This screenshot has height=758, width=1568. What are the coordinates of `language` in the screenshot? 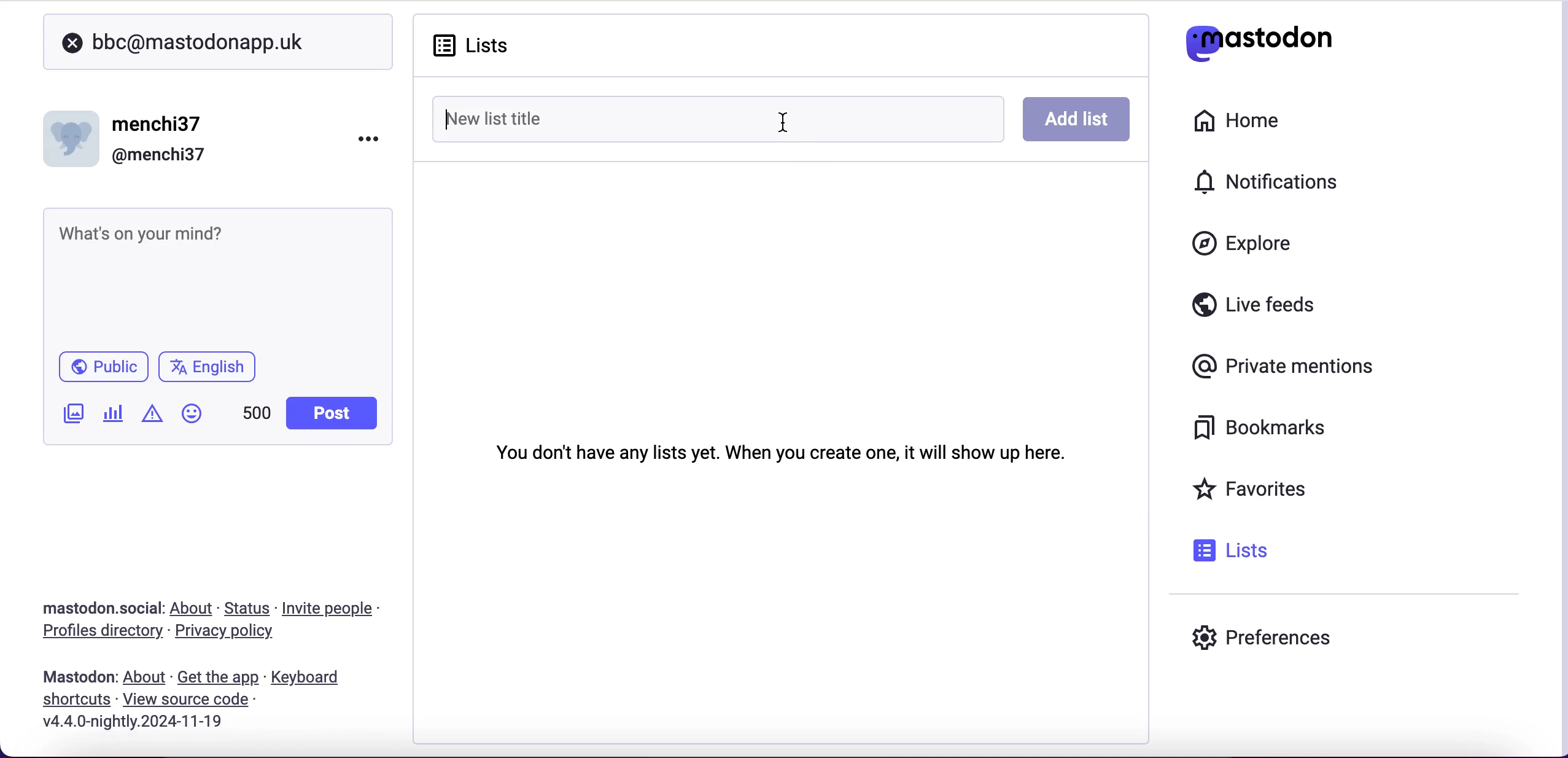 It's located at (212, 372).